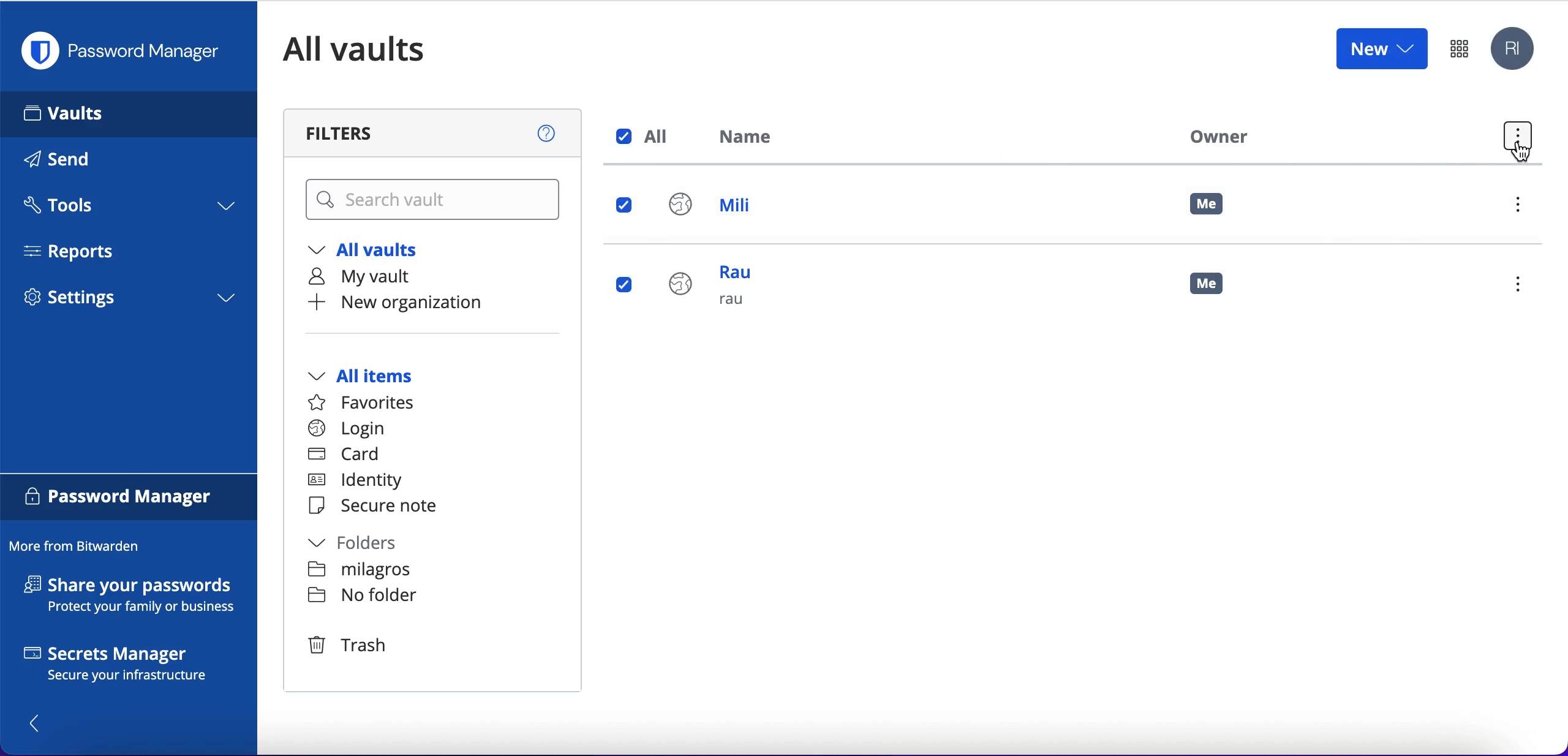 This screenshot has height=756, width=1568. I want to click on no folder, so click(363, 572).